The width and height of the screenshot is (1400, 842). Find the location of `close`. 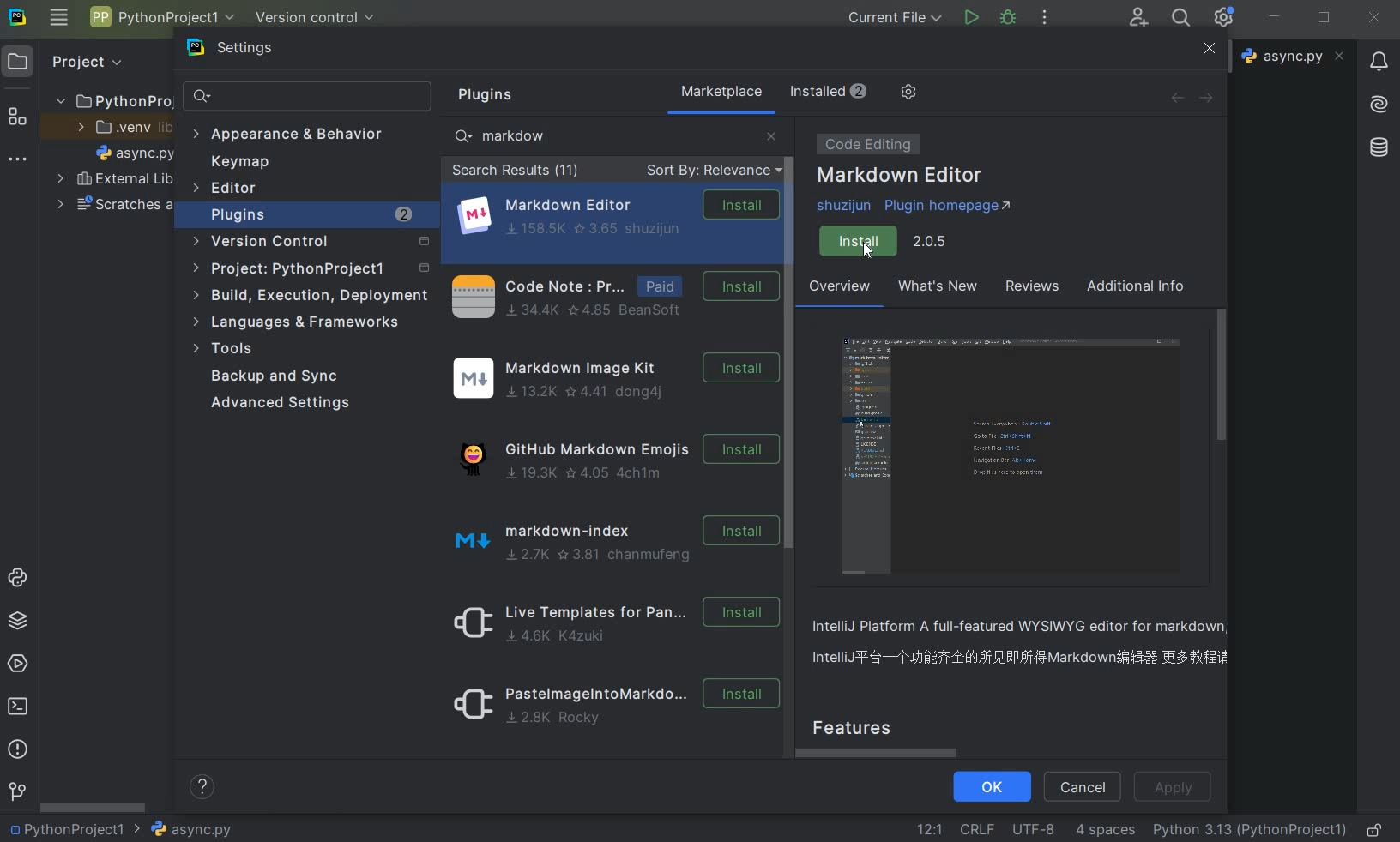

close is located at coordinates (771, 135).